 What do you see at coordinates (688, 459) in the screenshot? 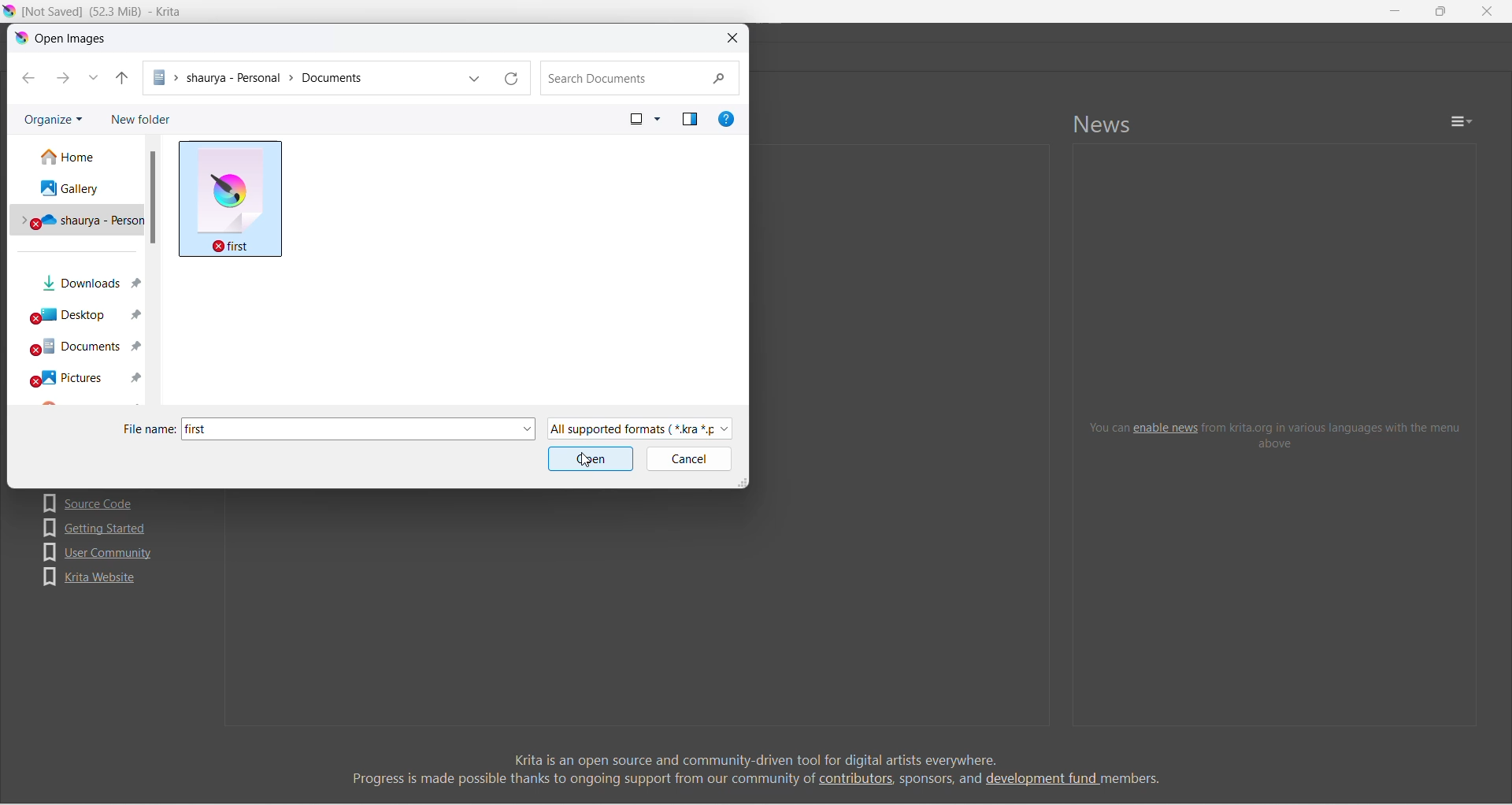
I see `cancel` at bounding box center [688, 459].